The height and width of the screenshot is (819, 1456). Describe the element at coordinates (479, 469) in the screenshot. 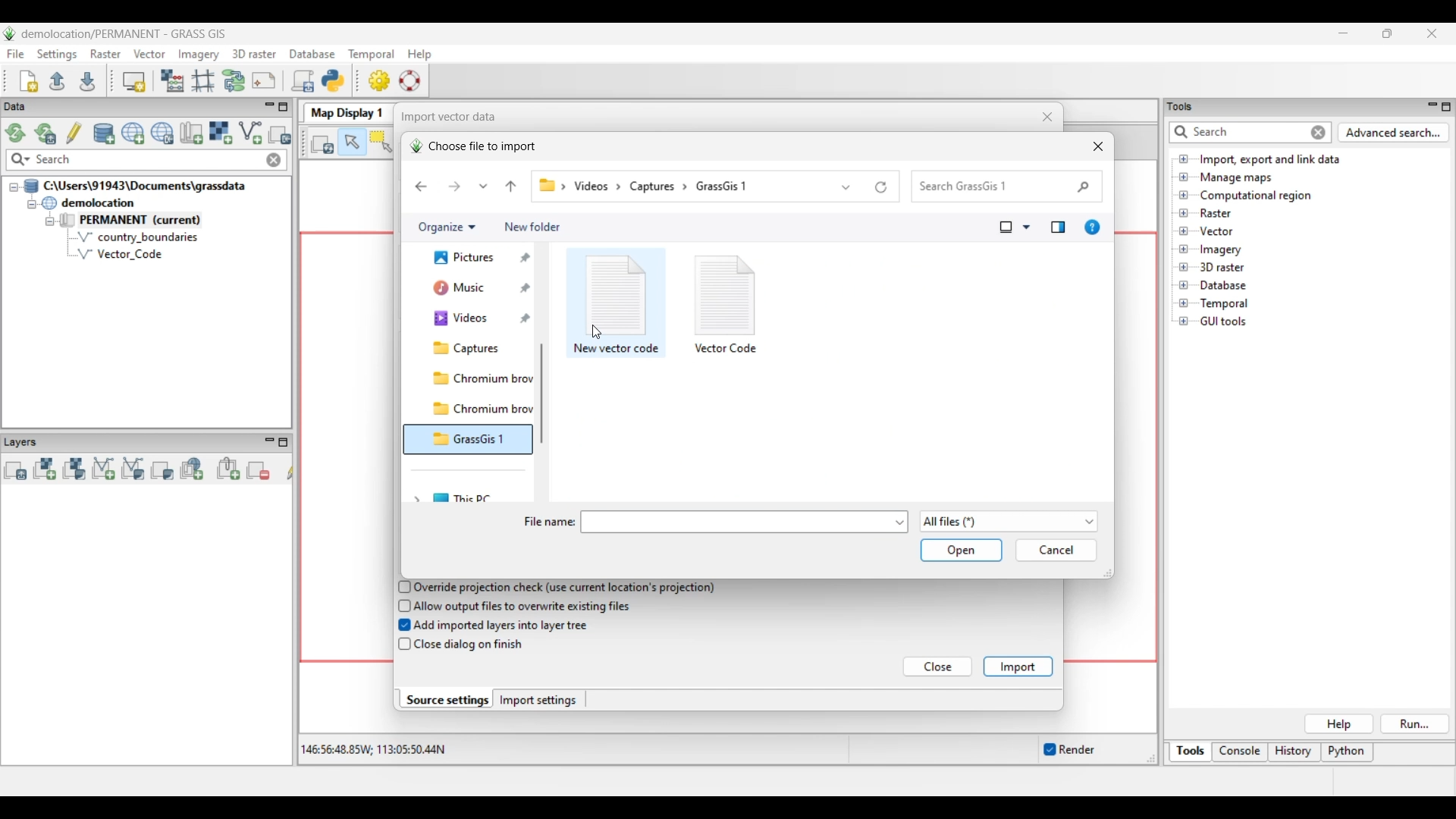

I see `GrassGis 1 folder` at that location.